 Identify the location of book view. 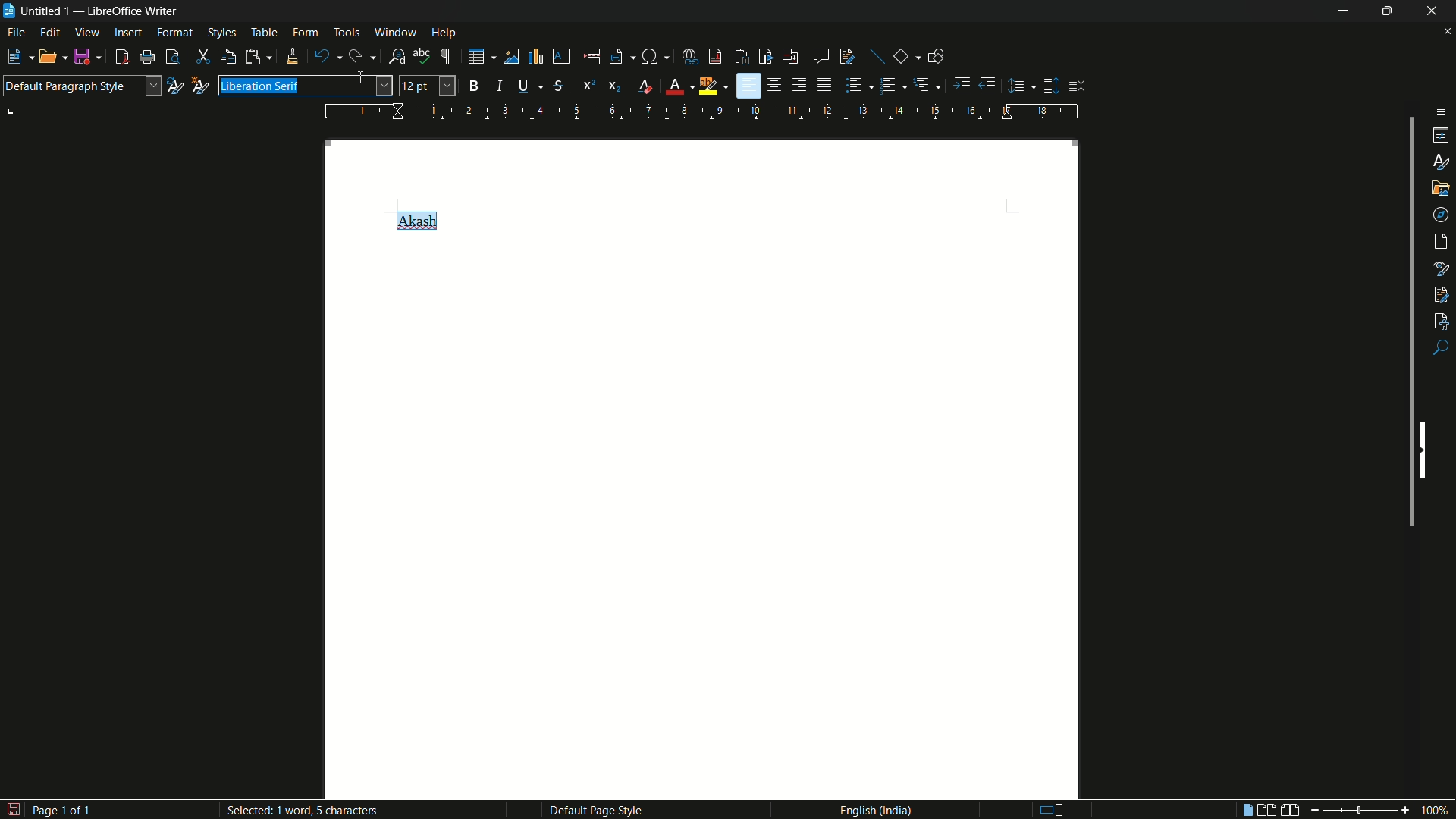
(1291, 811).